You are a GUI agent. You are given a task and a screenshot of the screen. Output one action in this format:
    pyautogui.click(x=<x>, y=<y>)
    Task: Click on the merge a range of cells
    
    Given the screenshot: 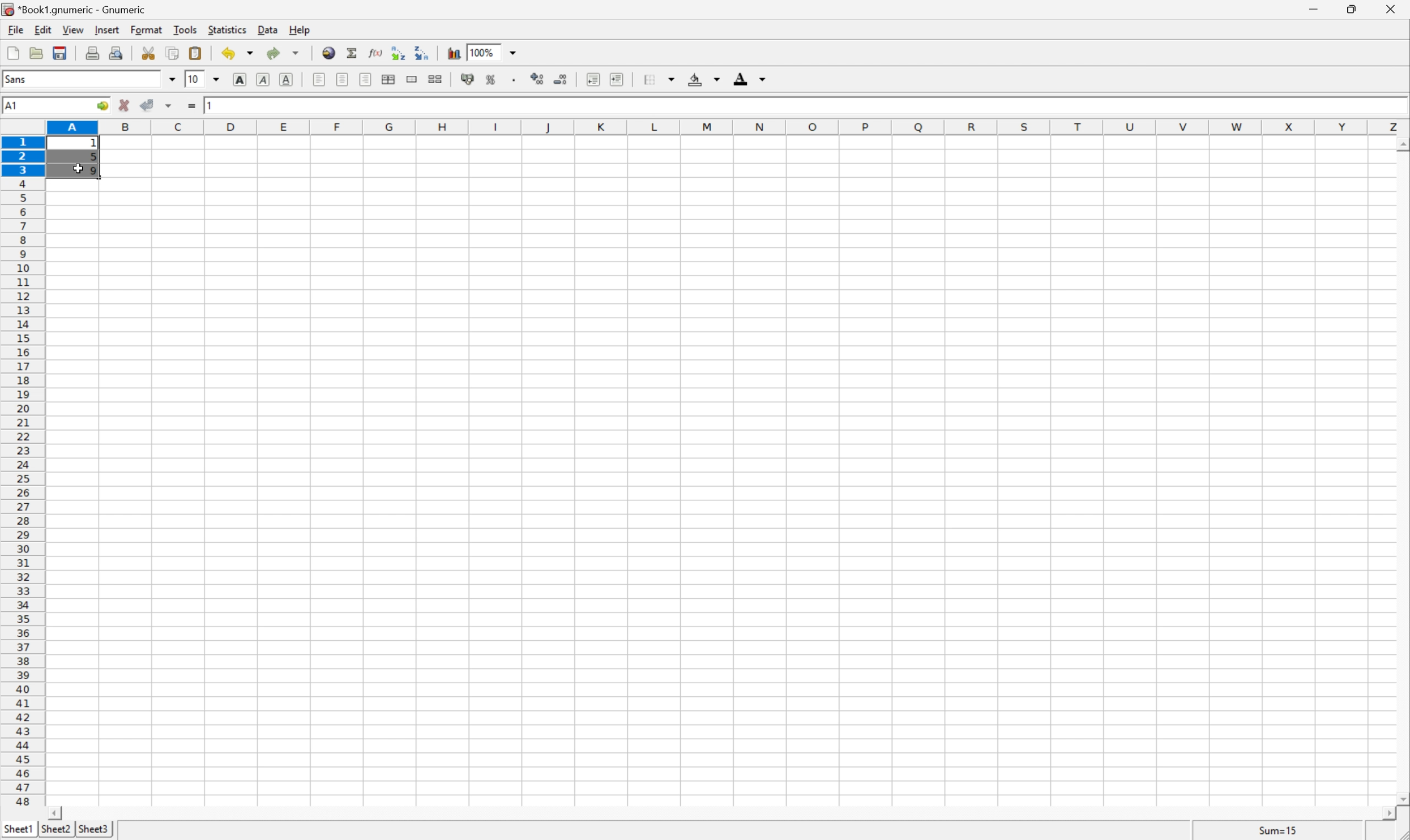 What is the action you would take?
    pyautogui.click(x=415, y=79)
    